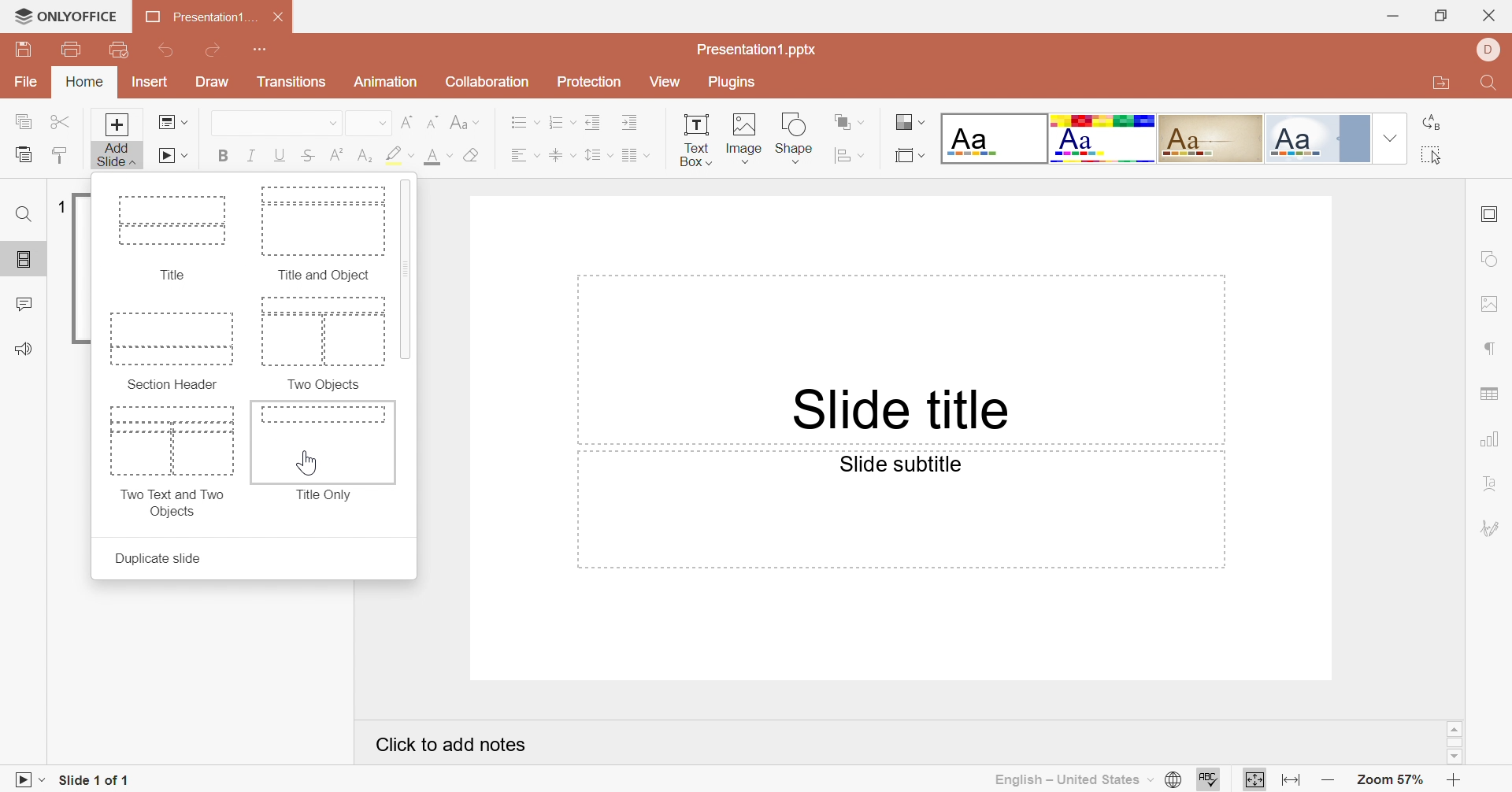 The image size is (1512, 792). Describe the element at coordinates (1449, 781) in the screenshot. I see `Zoom in` at that location.